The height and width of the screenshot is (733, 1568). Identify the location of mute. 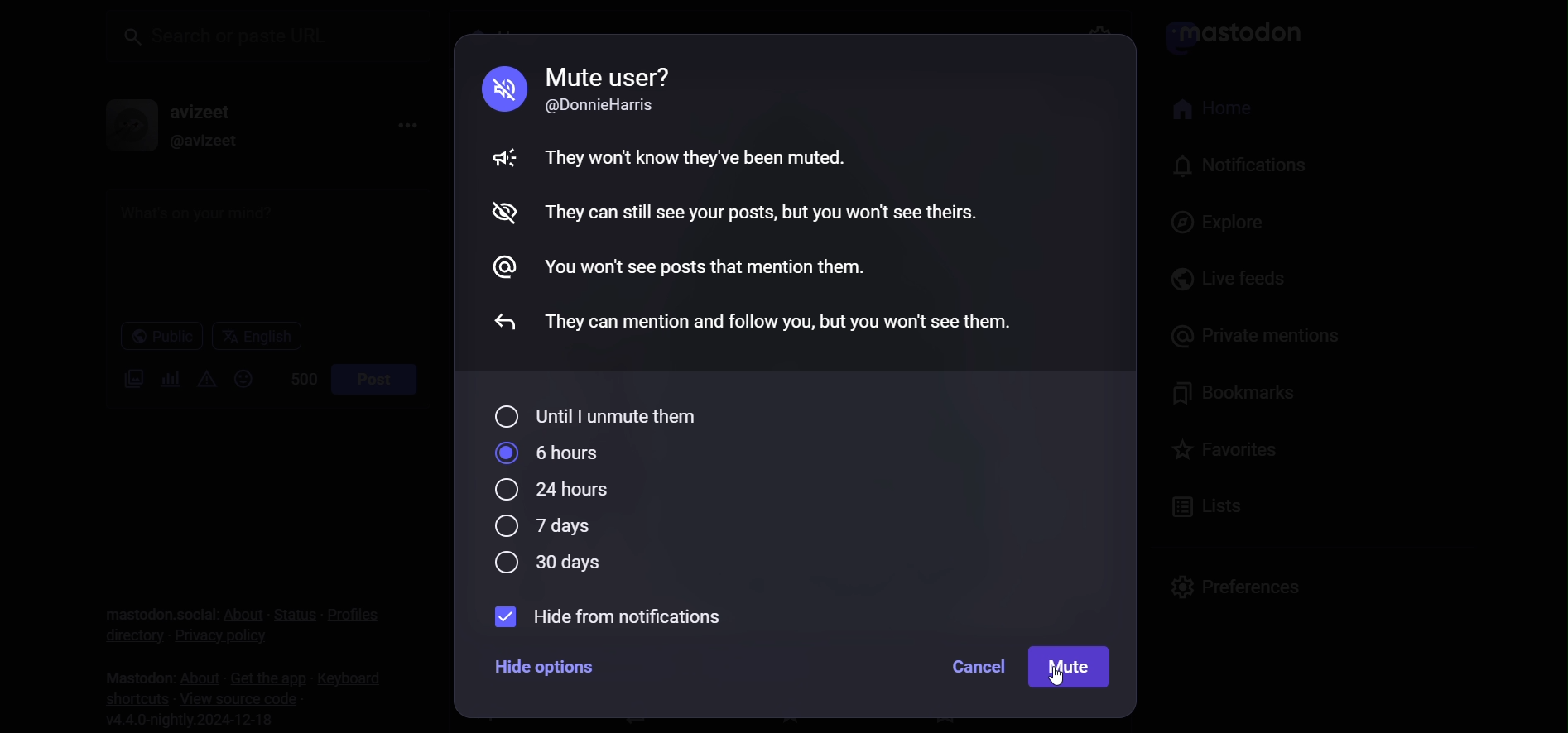
(498, 160).